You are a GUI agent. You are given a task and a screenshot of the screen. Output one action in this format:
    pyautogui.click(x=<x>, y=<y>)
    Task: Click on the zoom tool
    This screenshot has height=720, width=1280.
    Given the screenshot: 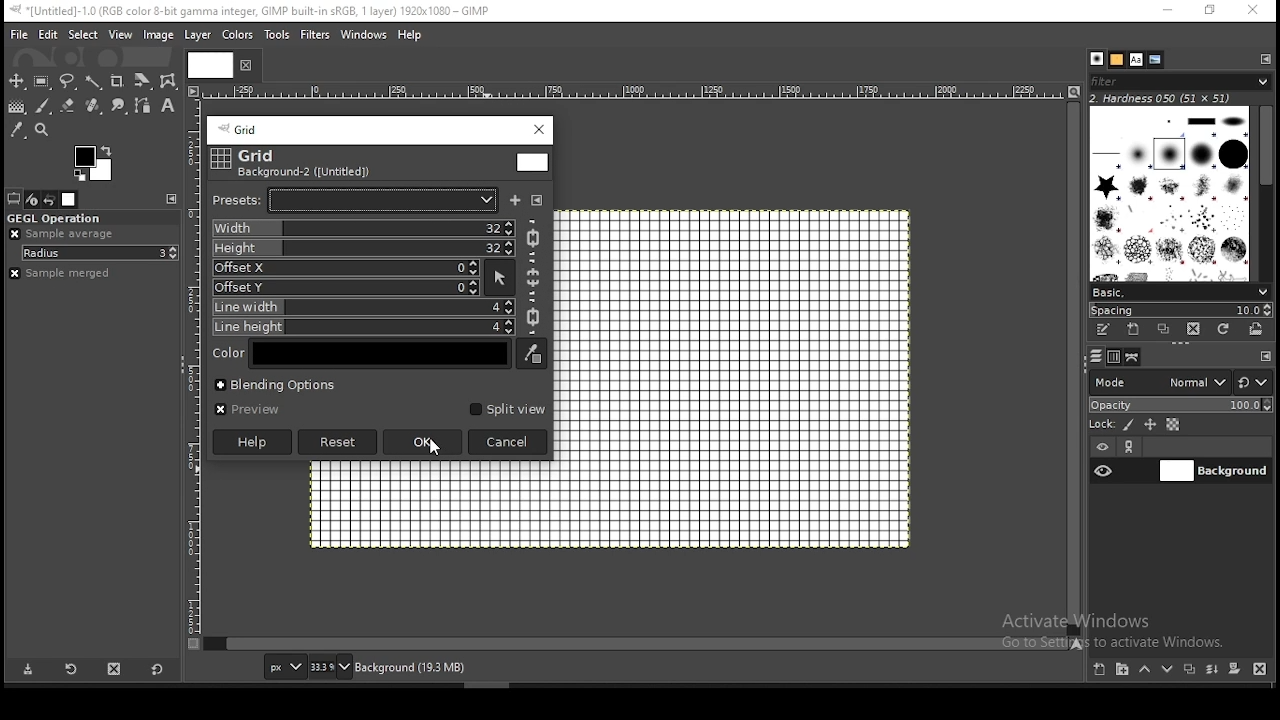 What is the action you would take?
    pyautogui.click(x=48, y=130)
    